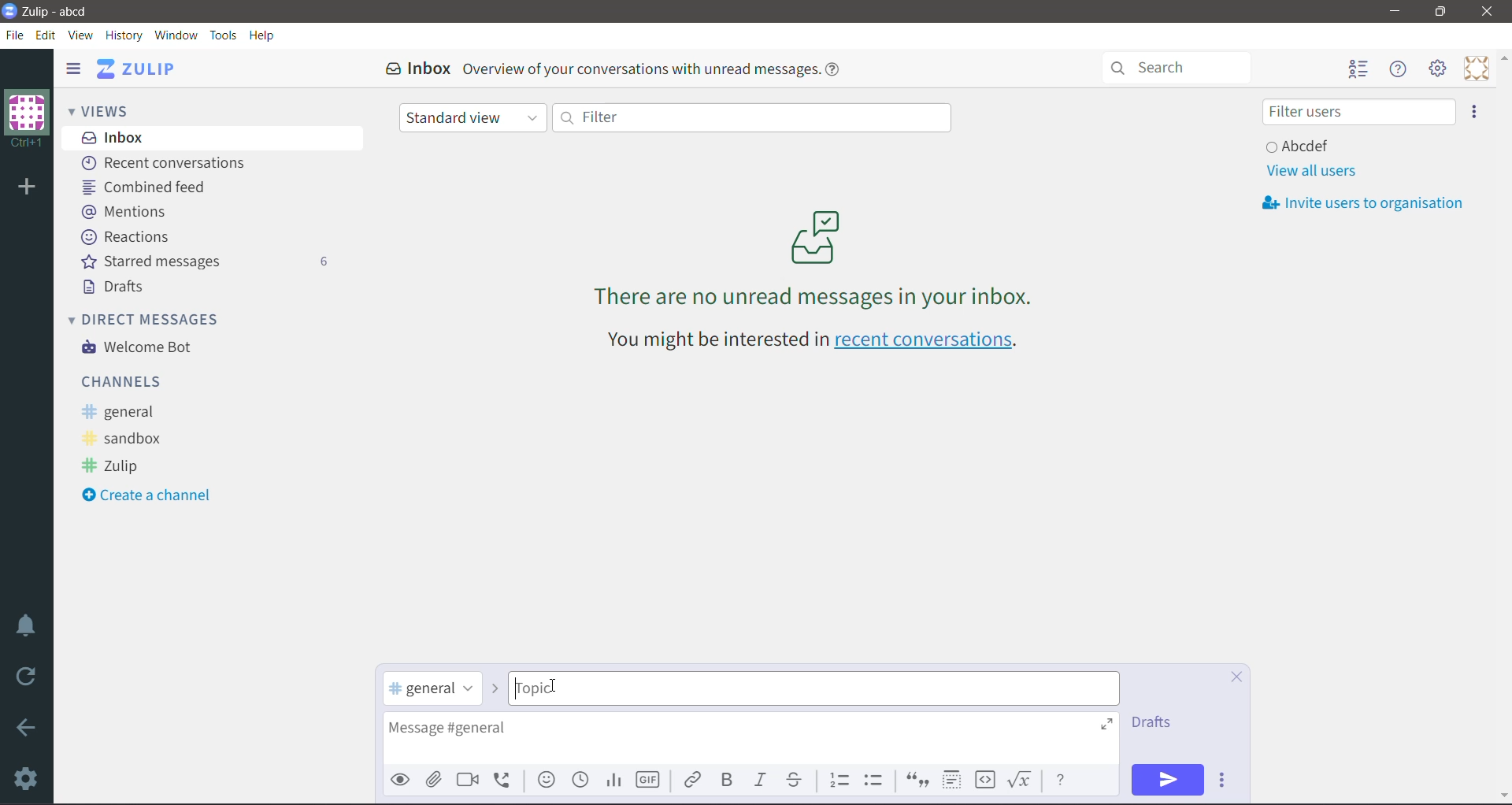 This screenshot has width=1512, height=805. I want to click on Preview, so click(401, 779).